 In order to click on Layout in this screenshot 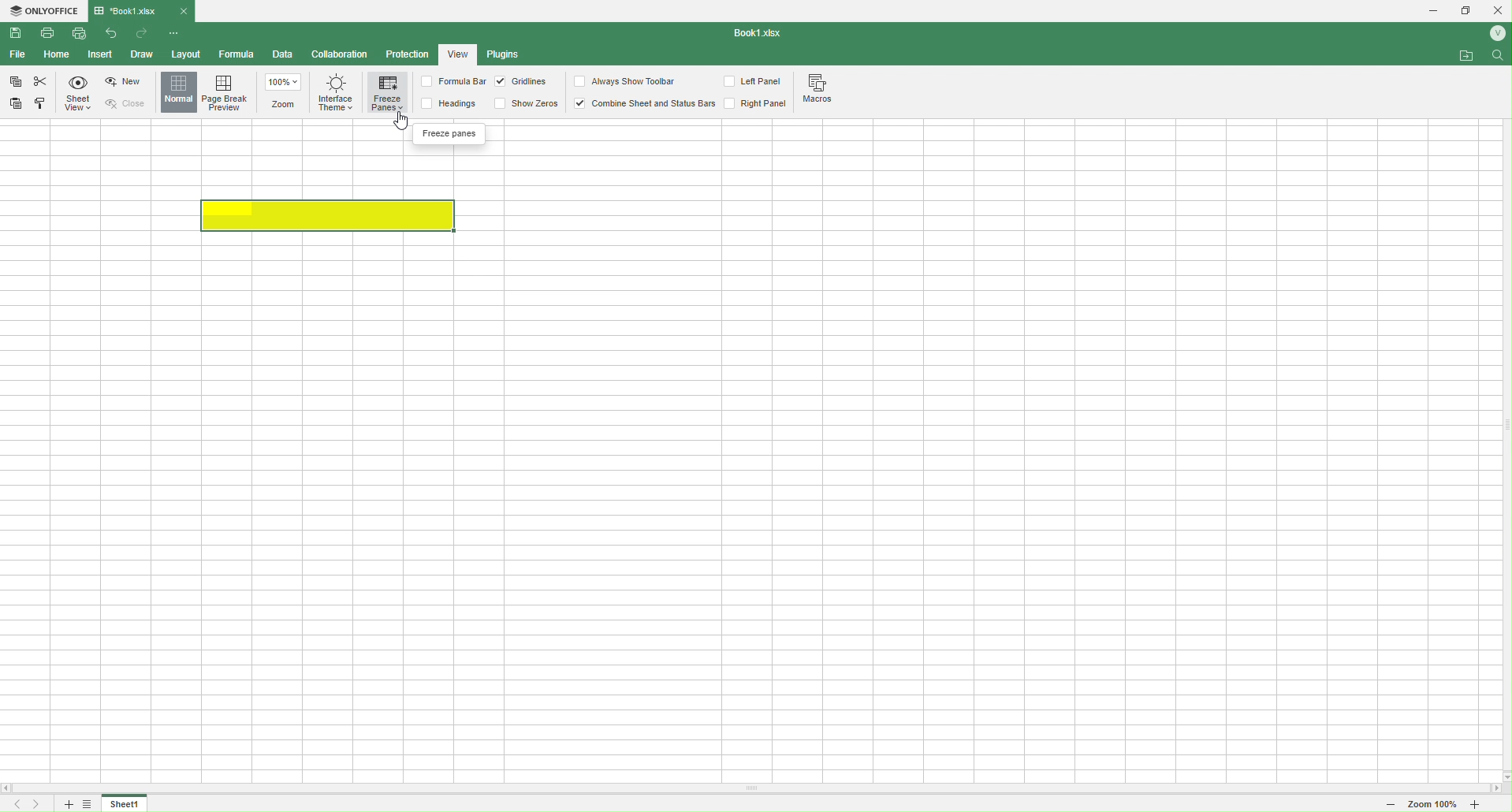, I will do `click(184, 54)`.